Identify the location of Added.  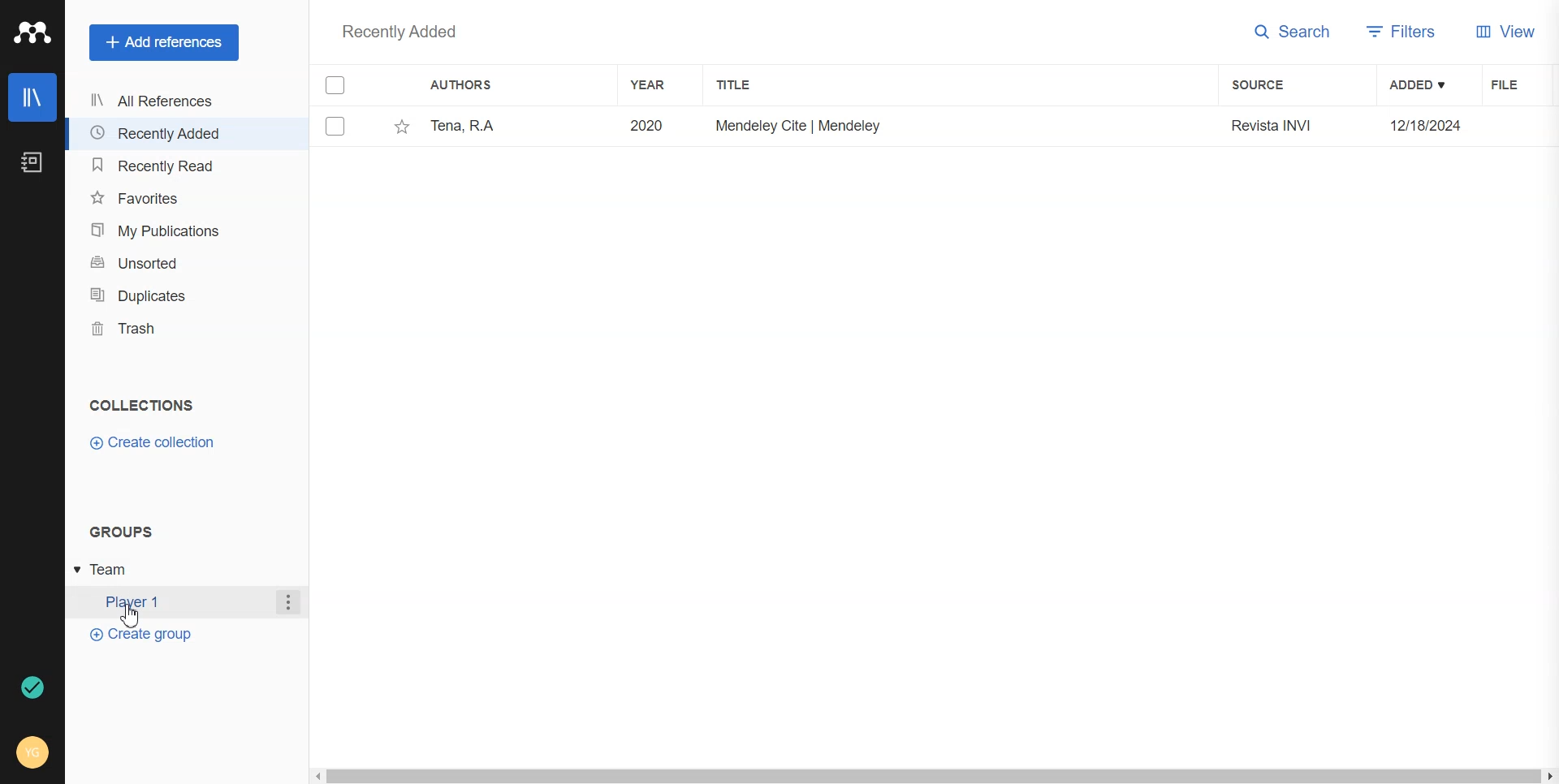
(1418, 85).